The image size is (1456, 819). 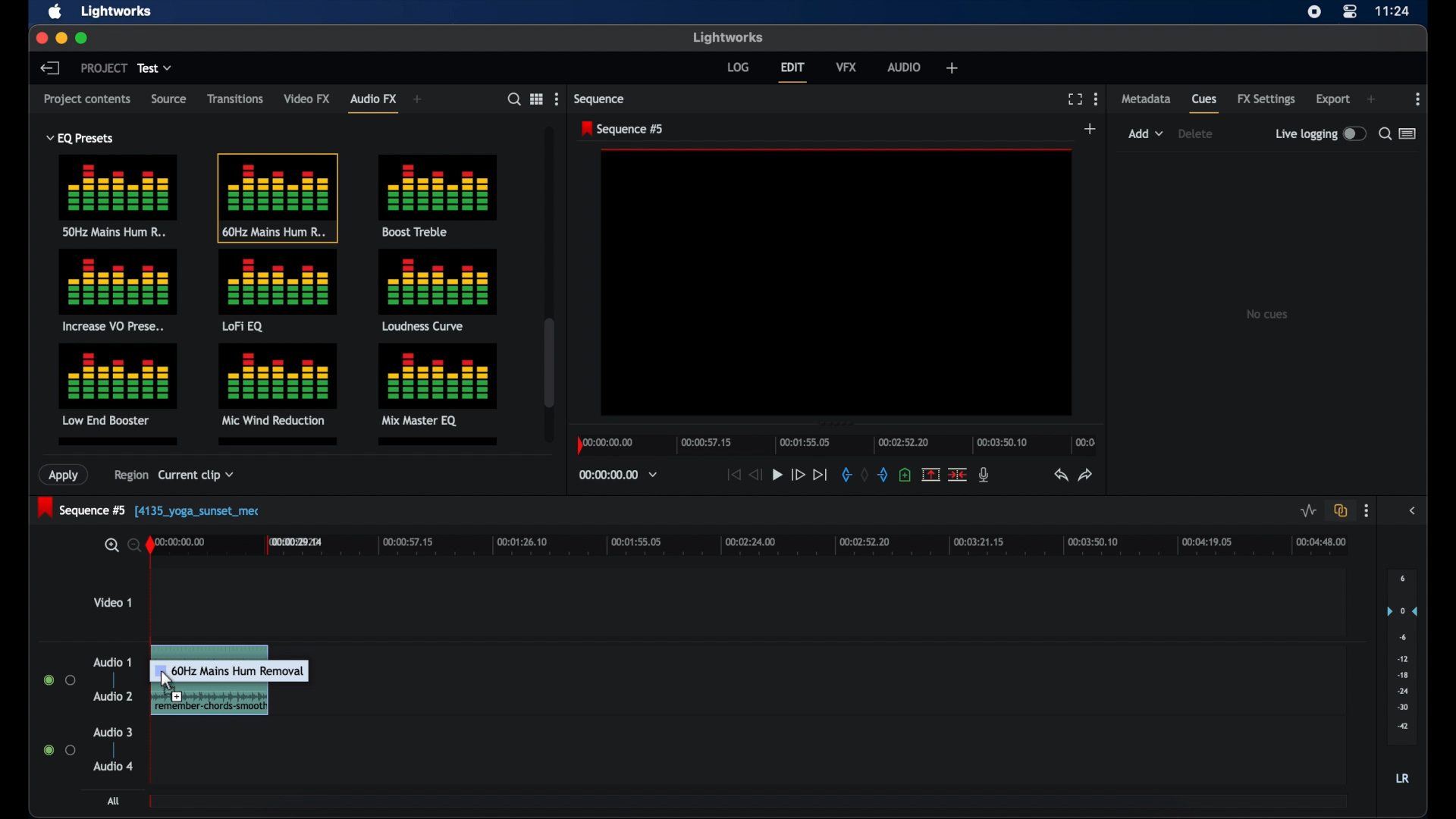 What do you see at coordinates (738, 67) in the screenshot?
I see `log` at bounding box center [738, 67].